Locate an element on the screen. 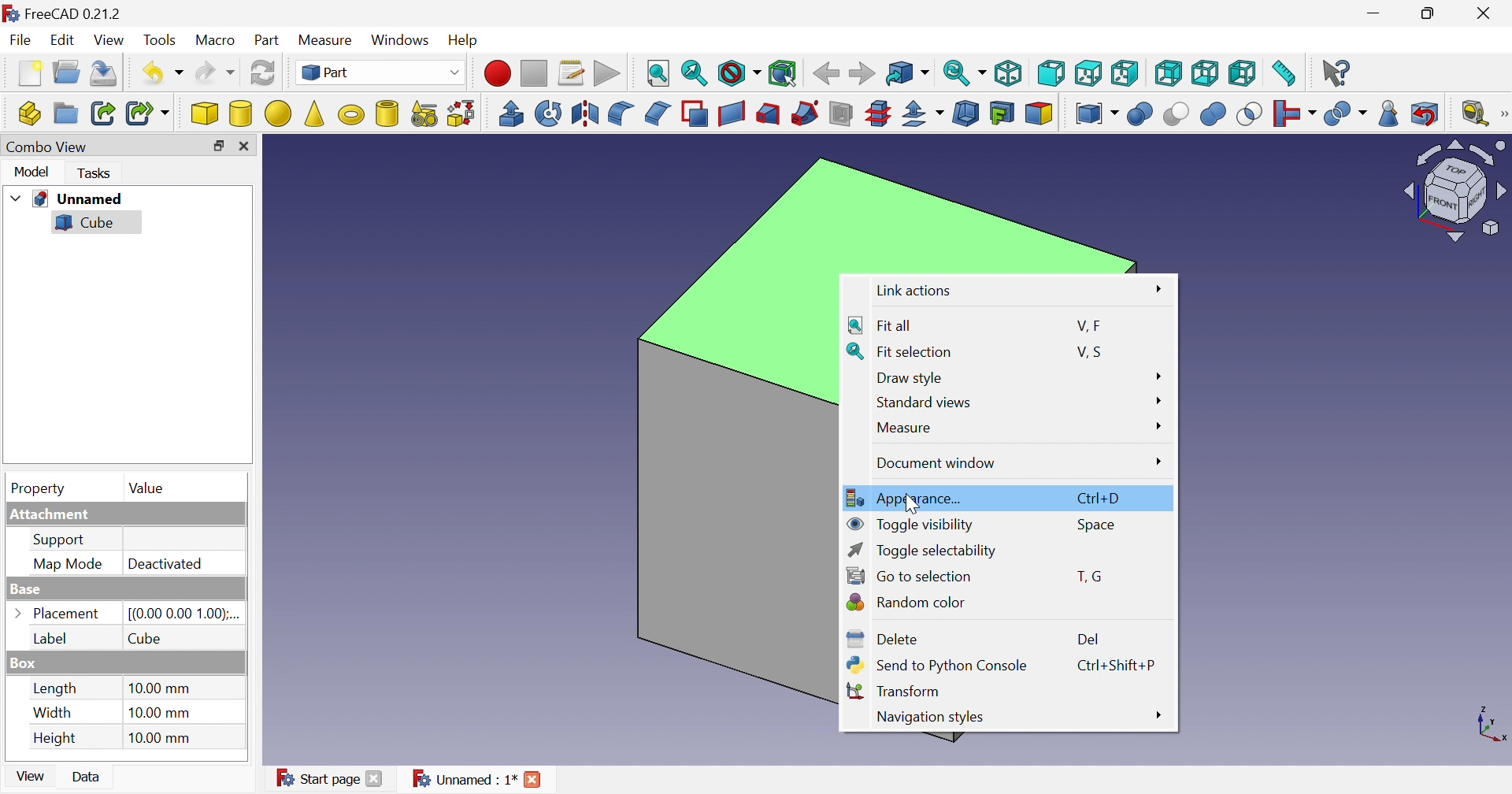 The image size is (1512, 794). Bottom is located at coordinates (1206, 72).